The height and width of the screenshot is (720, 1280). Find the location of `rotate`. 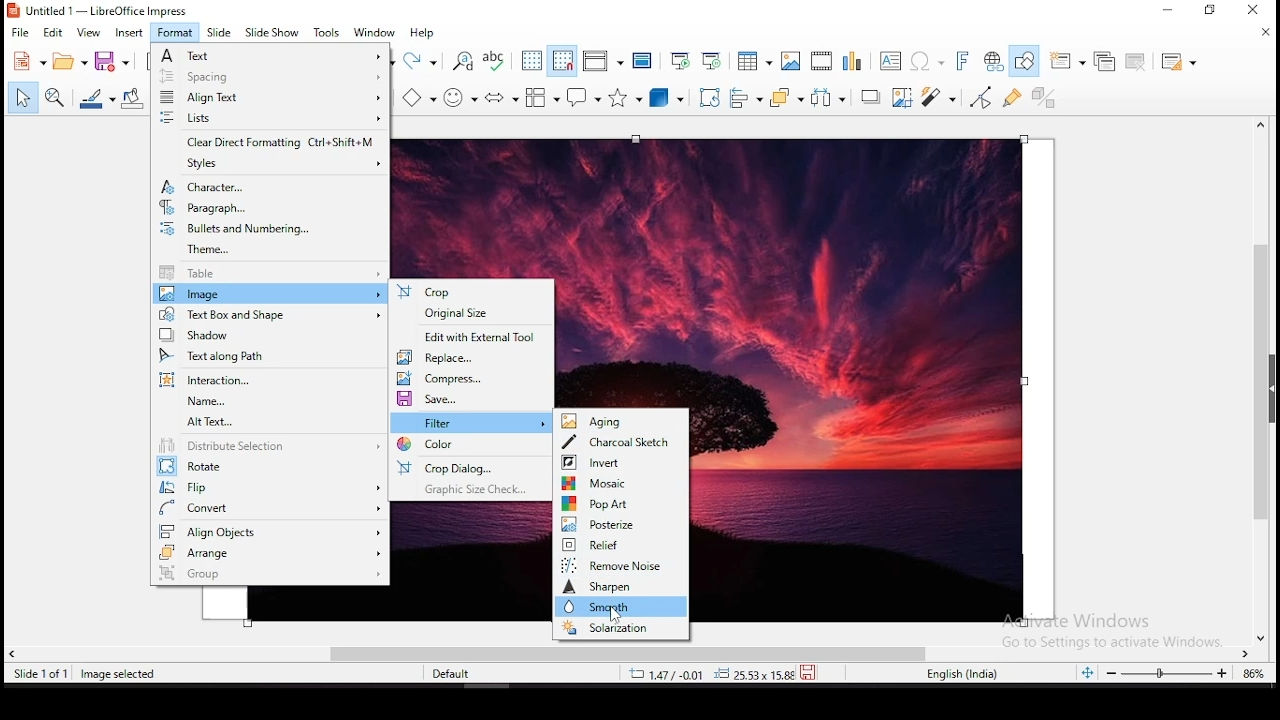

rotate is located at coordinates (272, 467).